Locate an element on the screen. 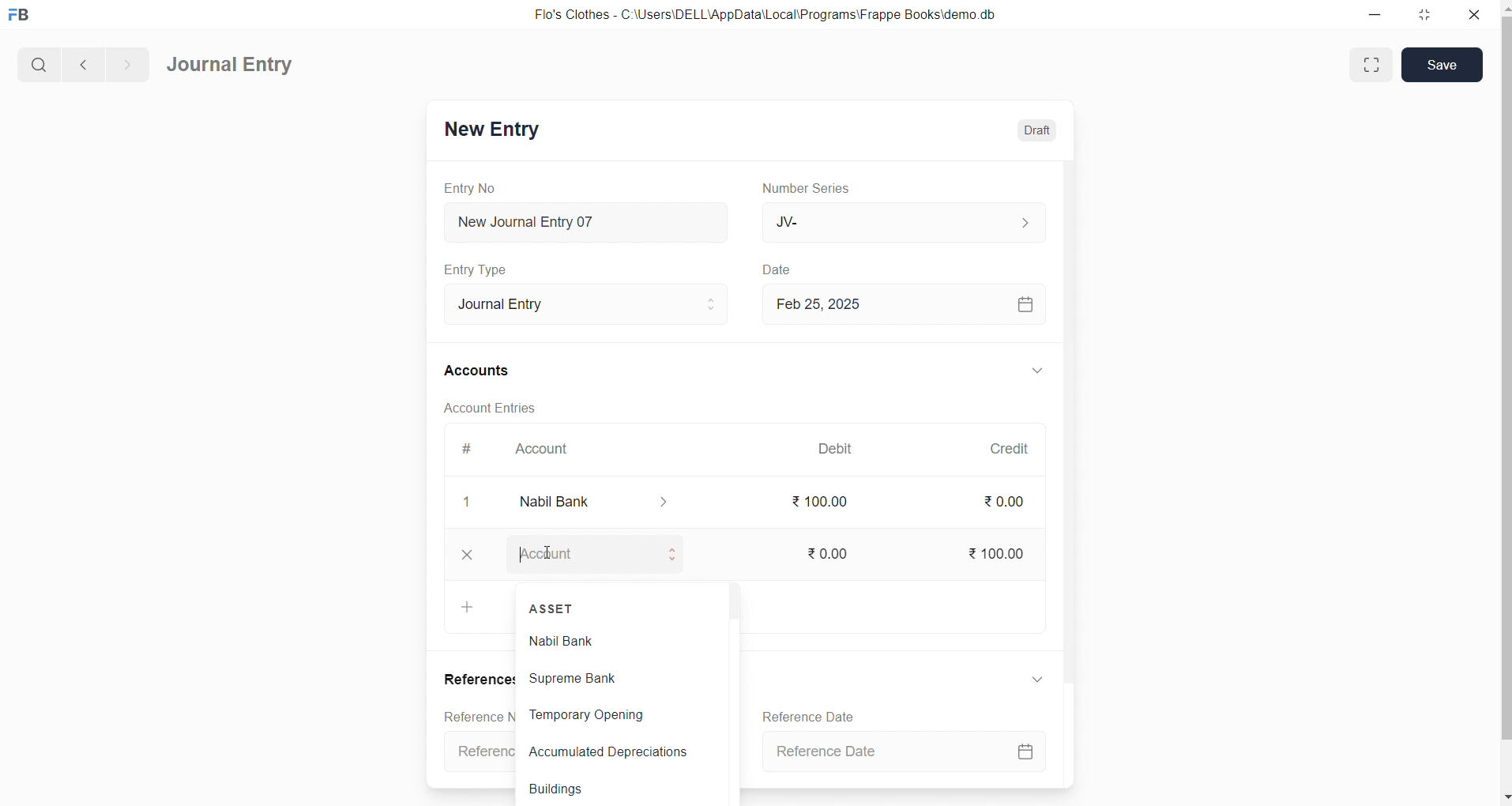 This screenshot has height=806, width=1512. cursor is located at coordinates (551, 560).